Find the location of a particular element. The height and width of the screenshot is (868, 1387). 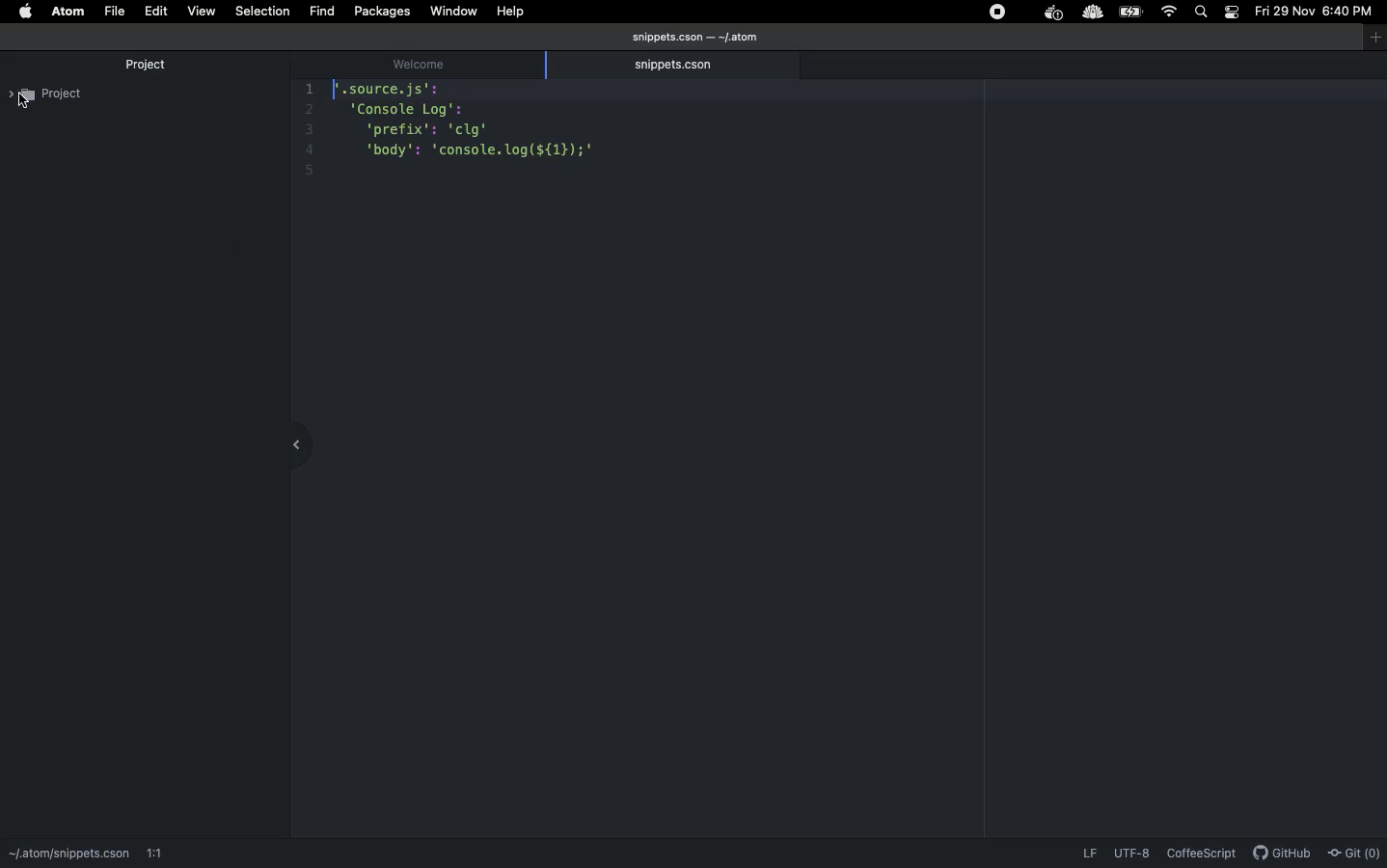

Date is located at coordinates (1285, 12).